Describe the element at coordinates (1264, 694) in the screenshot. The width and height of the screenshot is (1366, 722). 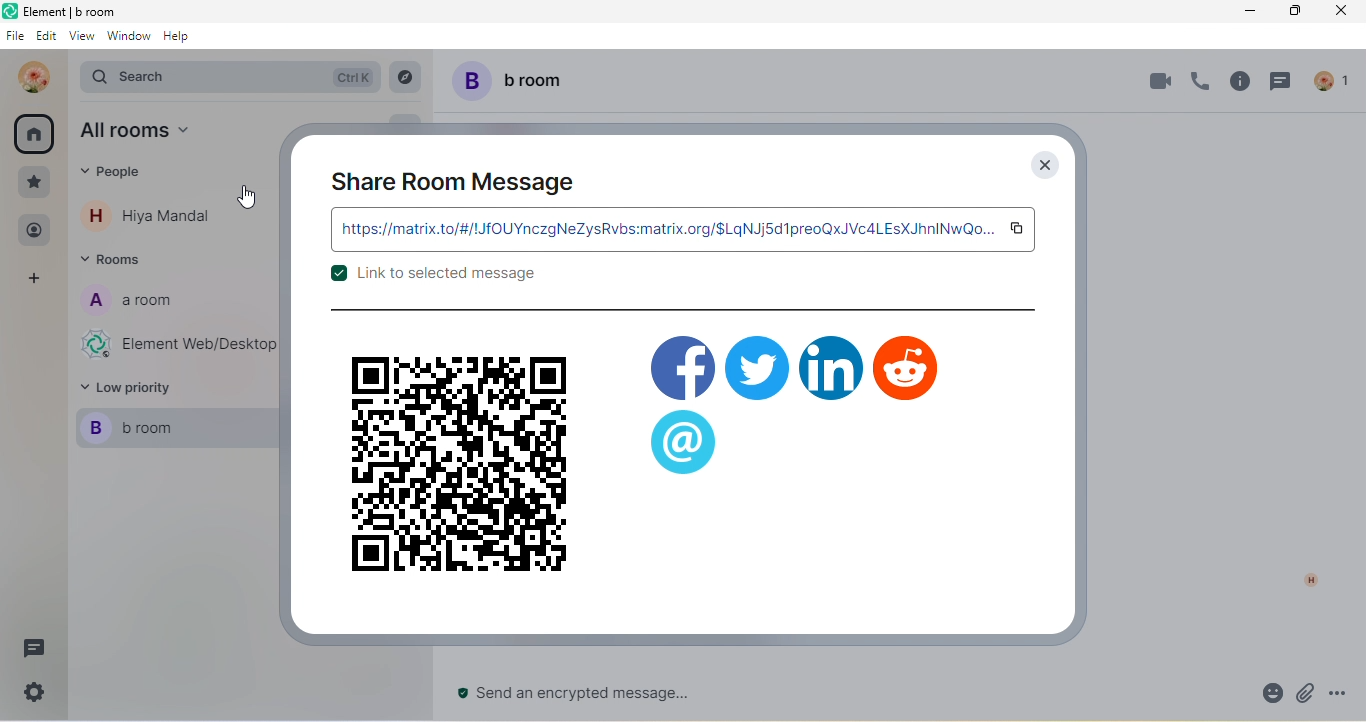
I see `emoji` at that location.